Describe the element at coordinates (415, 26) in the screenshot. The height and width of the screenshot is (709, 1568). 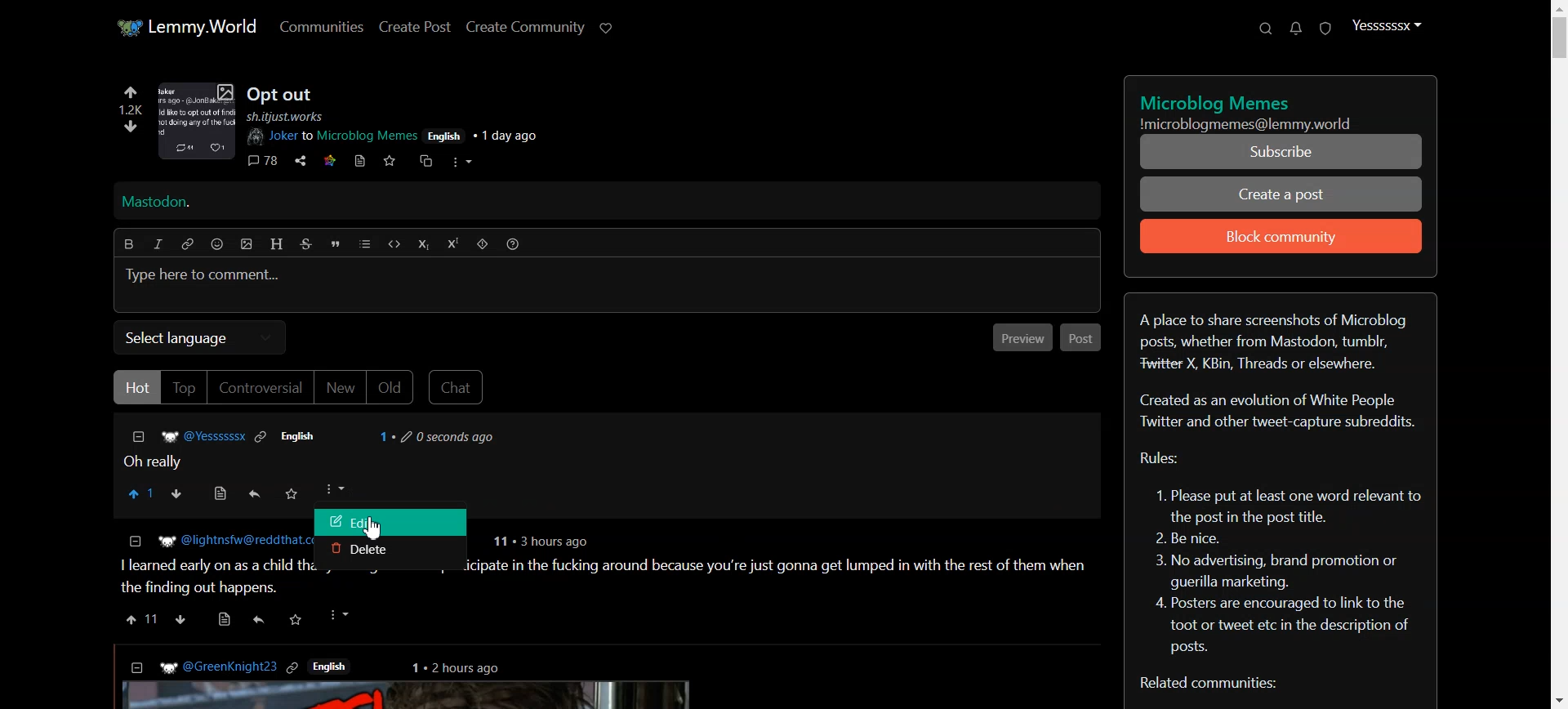
I see `Create Post` at that location.